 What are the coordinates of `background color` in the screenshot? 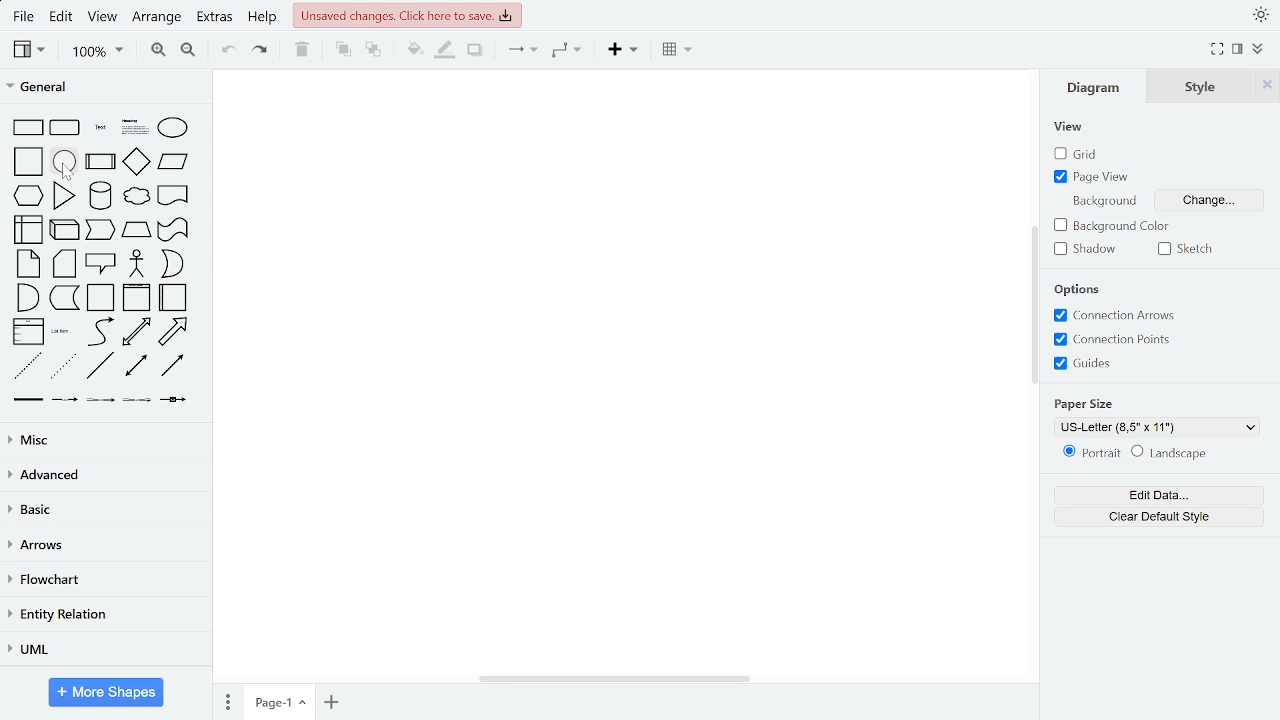 It's located at (1112, 225).